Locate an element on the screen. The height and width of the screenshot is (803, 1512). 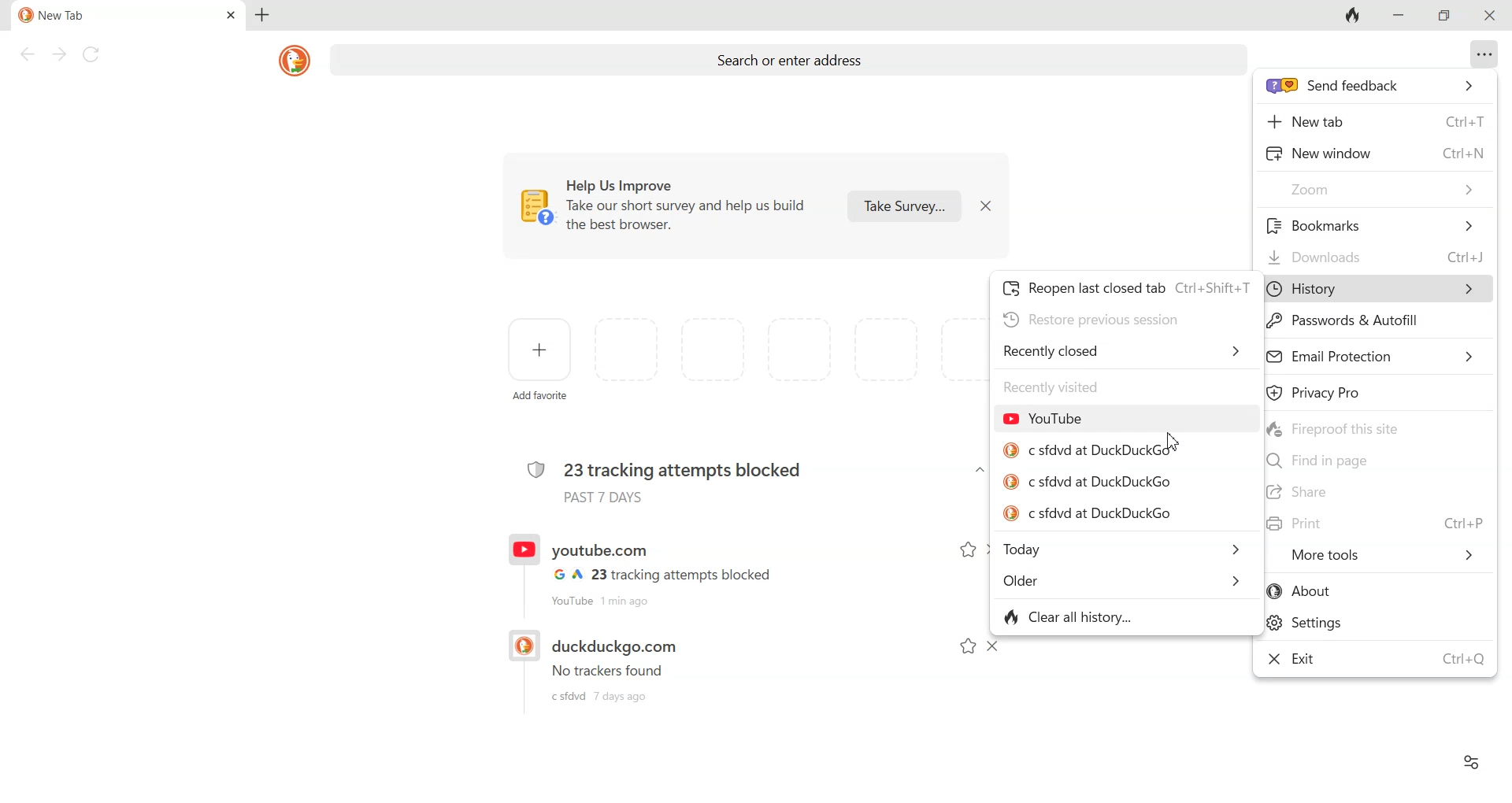
More Tools is located at coordinates (1385, 553).